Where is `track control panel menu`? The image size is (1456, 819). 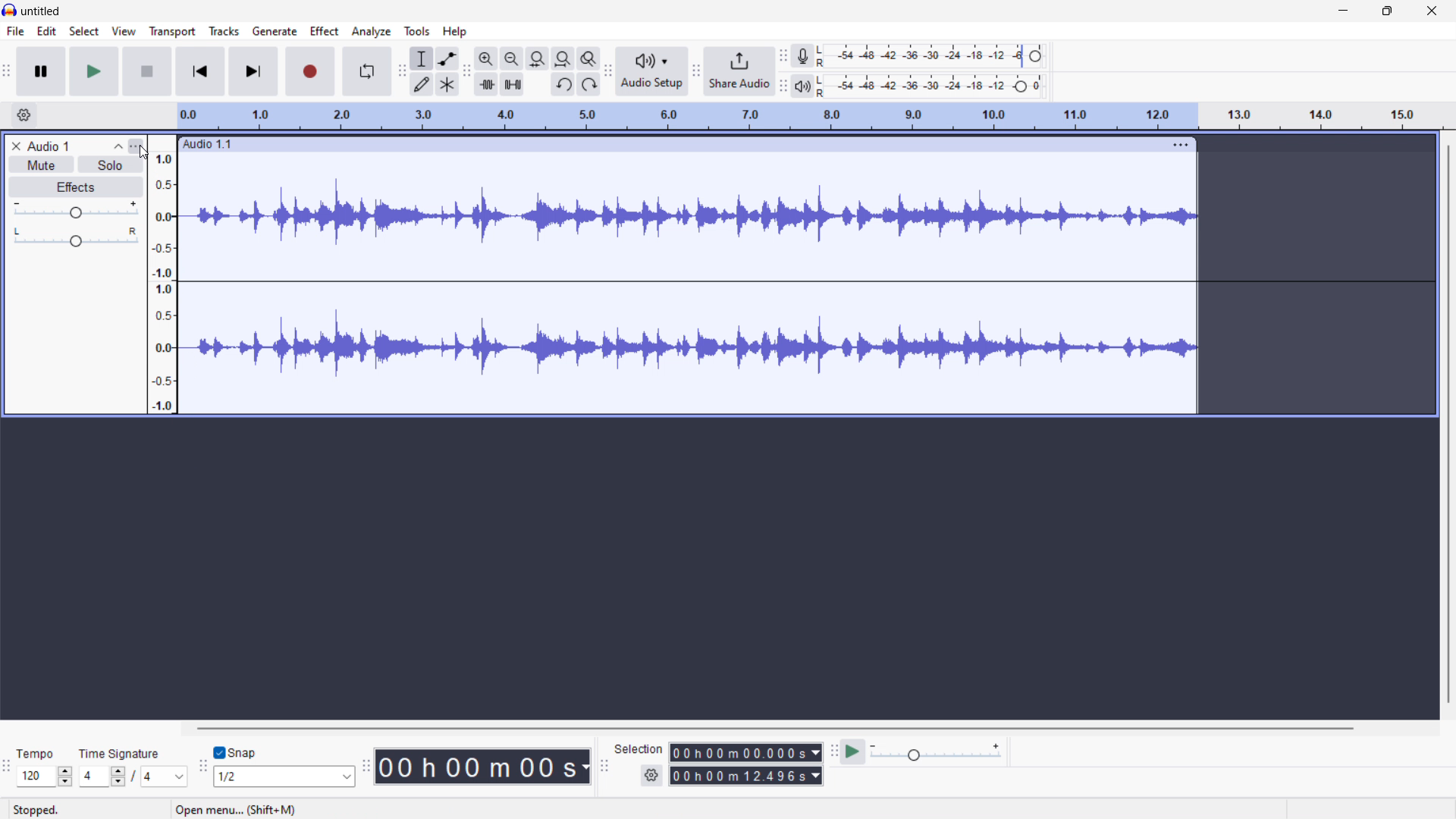 track control panel menu is located at coordinates (136, 146).